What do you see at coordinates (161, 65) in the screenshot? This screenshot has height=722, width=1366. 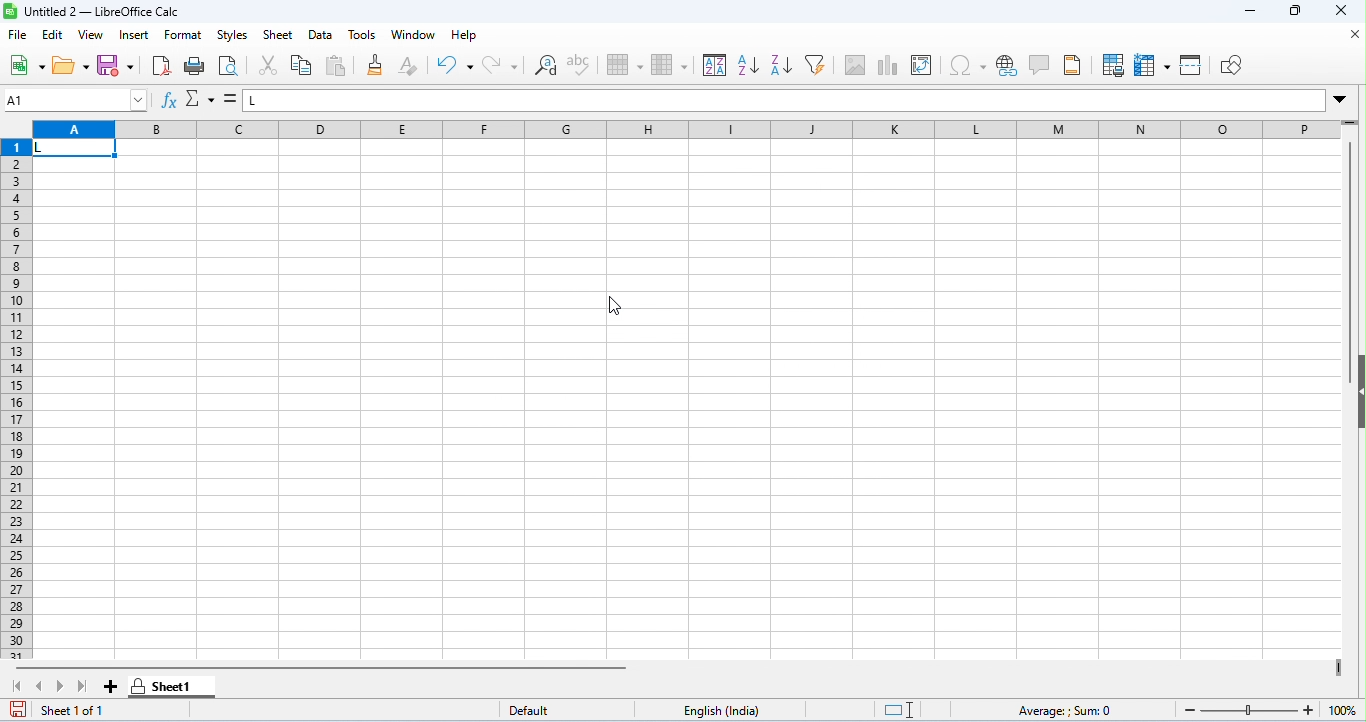 I see `export pdf` at bounding box center [161, 65].